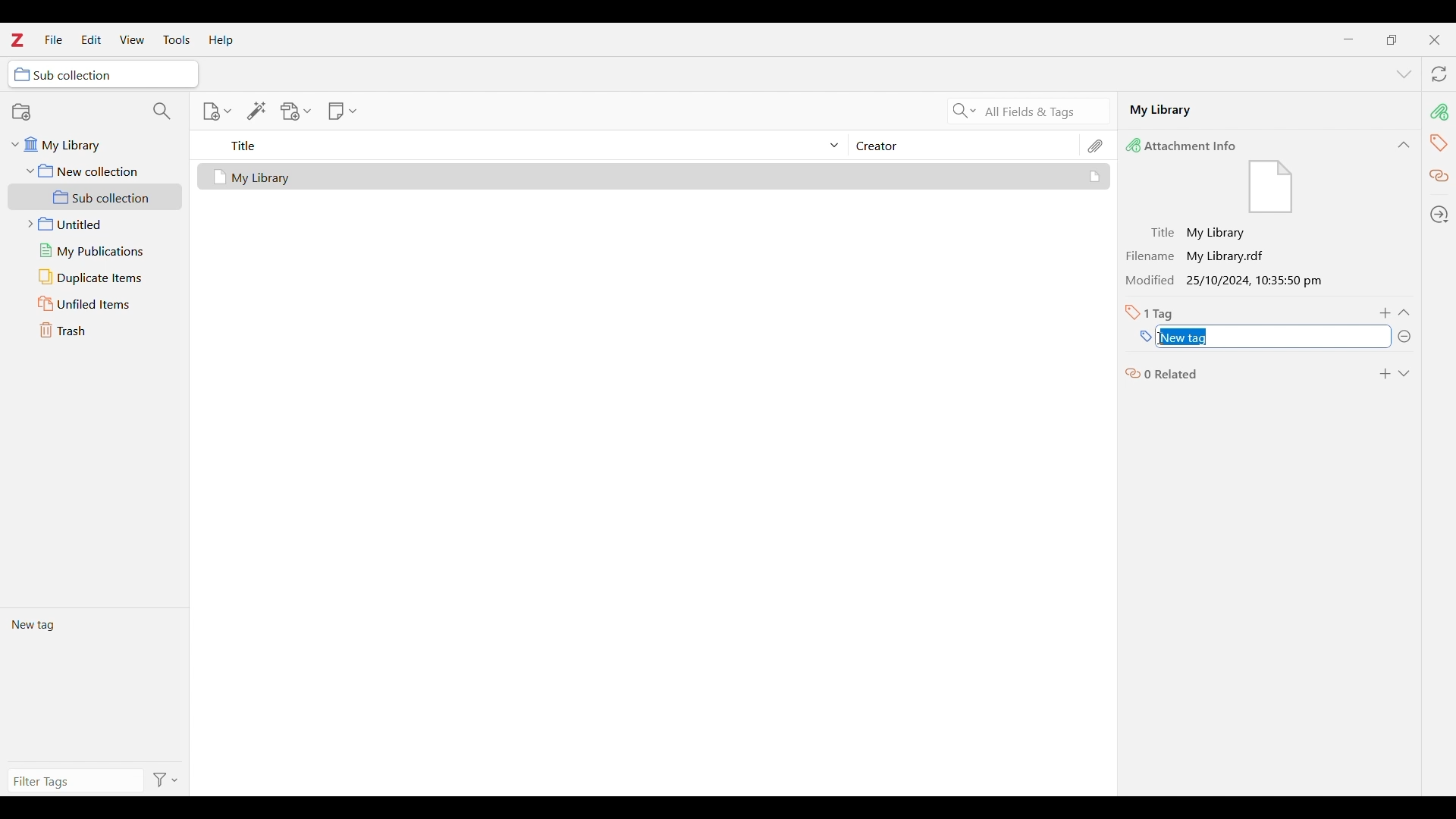 The width and height of the screenshot is (1456, 819). What do you see at coordinates (162, 111) in the screenshot?
I see `Filter collections` at bounding box center [162, 111].